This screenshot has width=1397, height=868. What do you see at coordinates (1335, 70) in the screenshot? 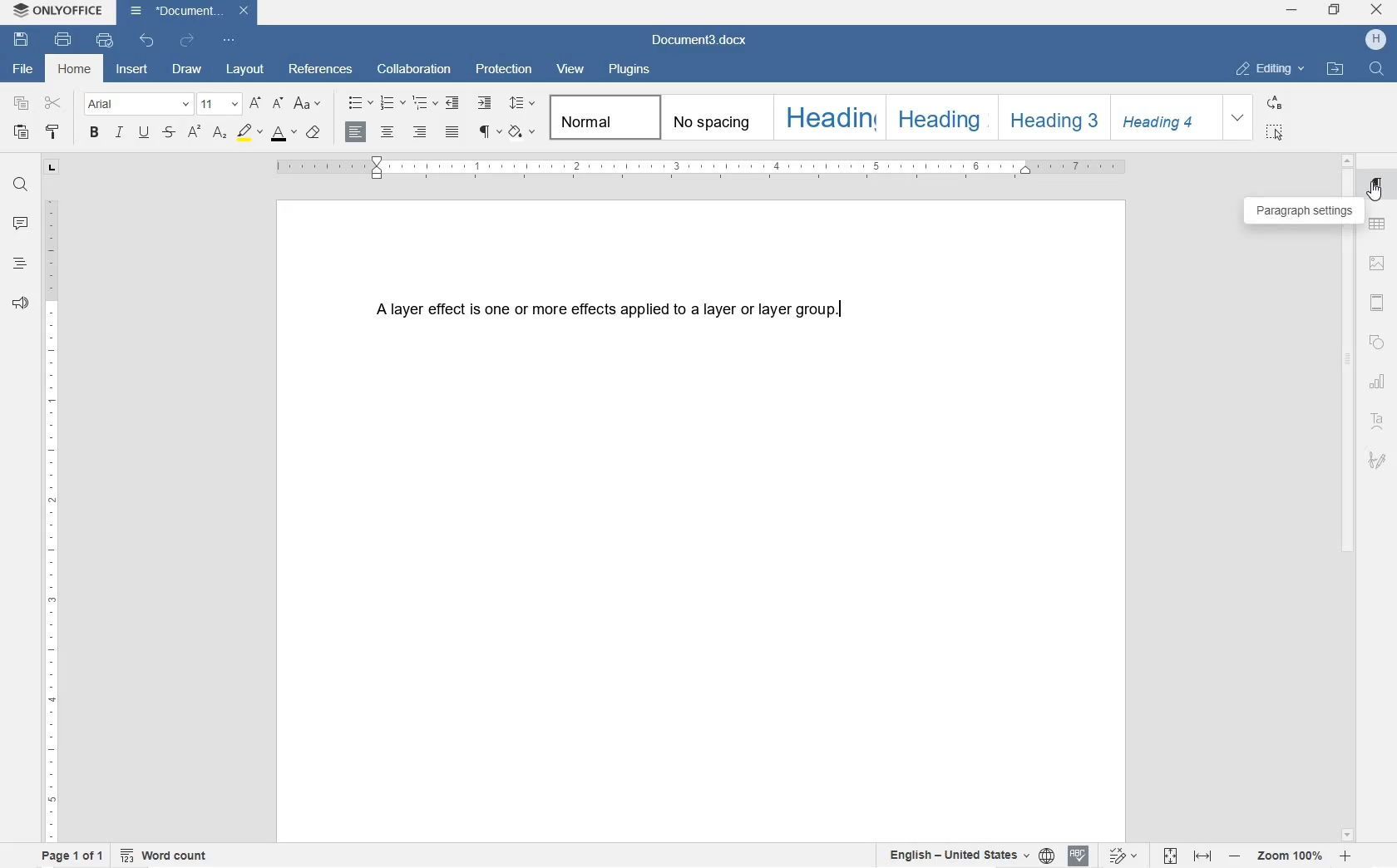
I see `OPEN FILE LOCATION` at bounding box center [1335, 70].